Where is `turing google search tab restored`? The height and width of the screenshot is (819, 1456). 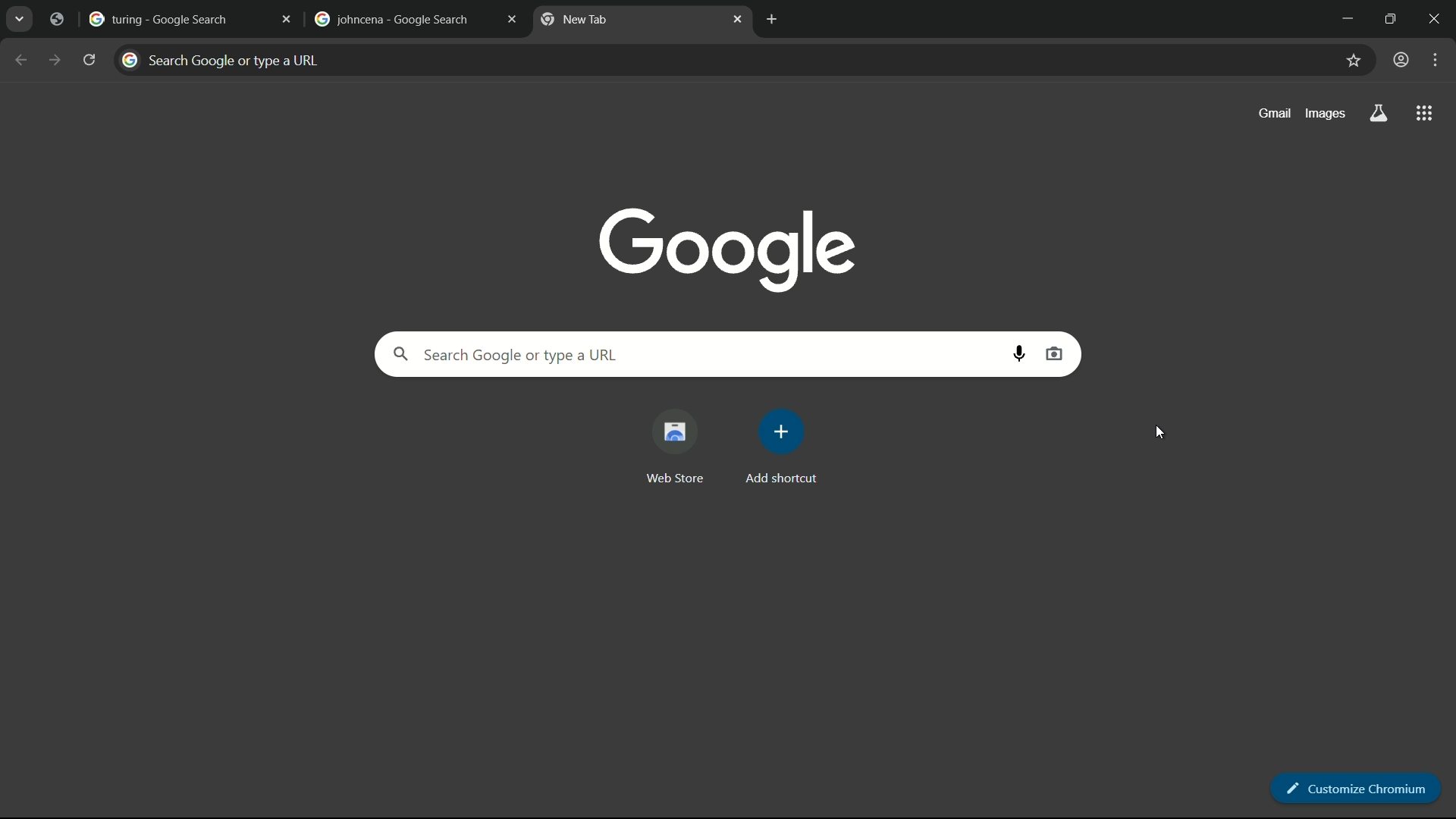
turing google search tab restored is located at coordinates (176, 22).